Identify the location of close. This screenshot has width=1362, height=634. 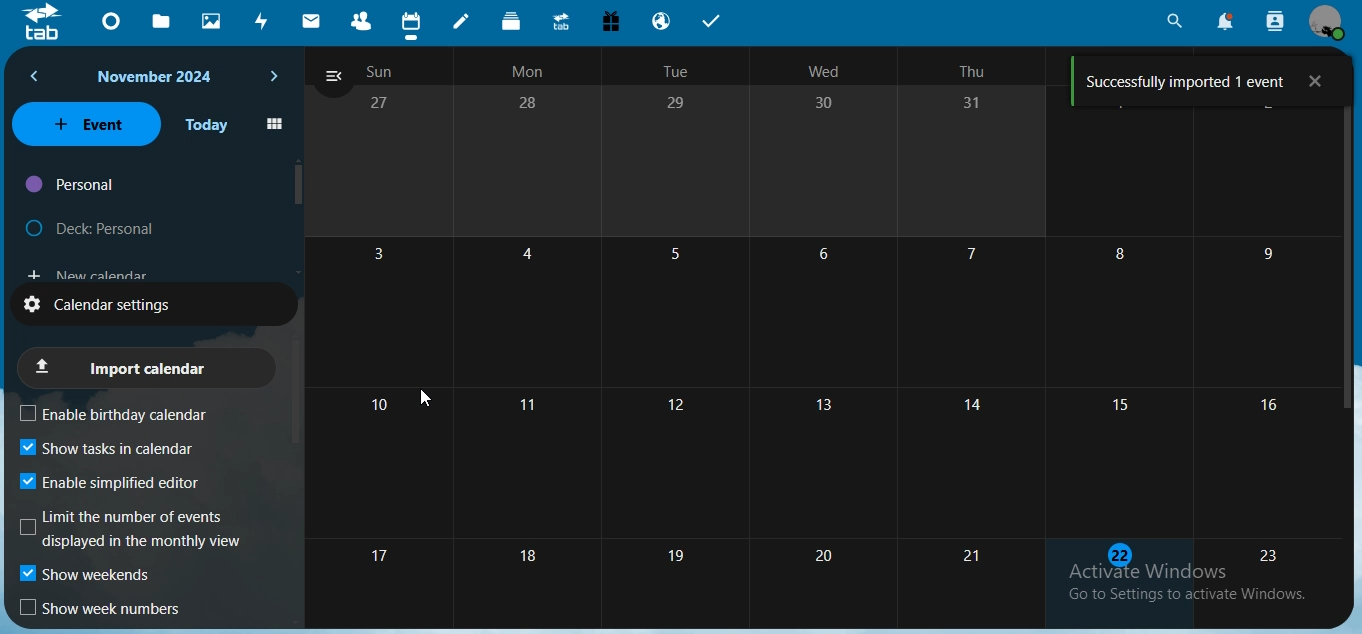
(1317, 82).